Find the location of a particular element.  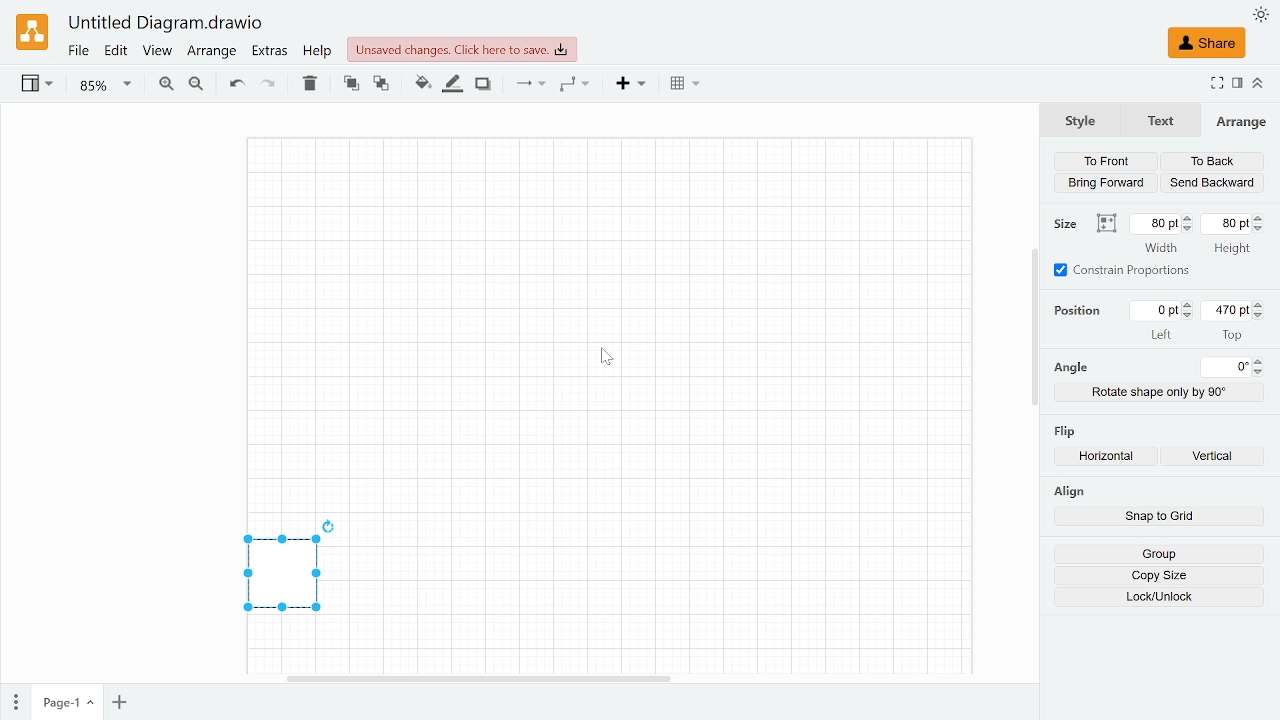

Flip vertically is located at coordinates (1218, 458).